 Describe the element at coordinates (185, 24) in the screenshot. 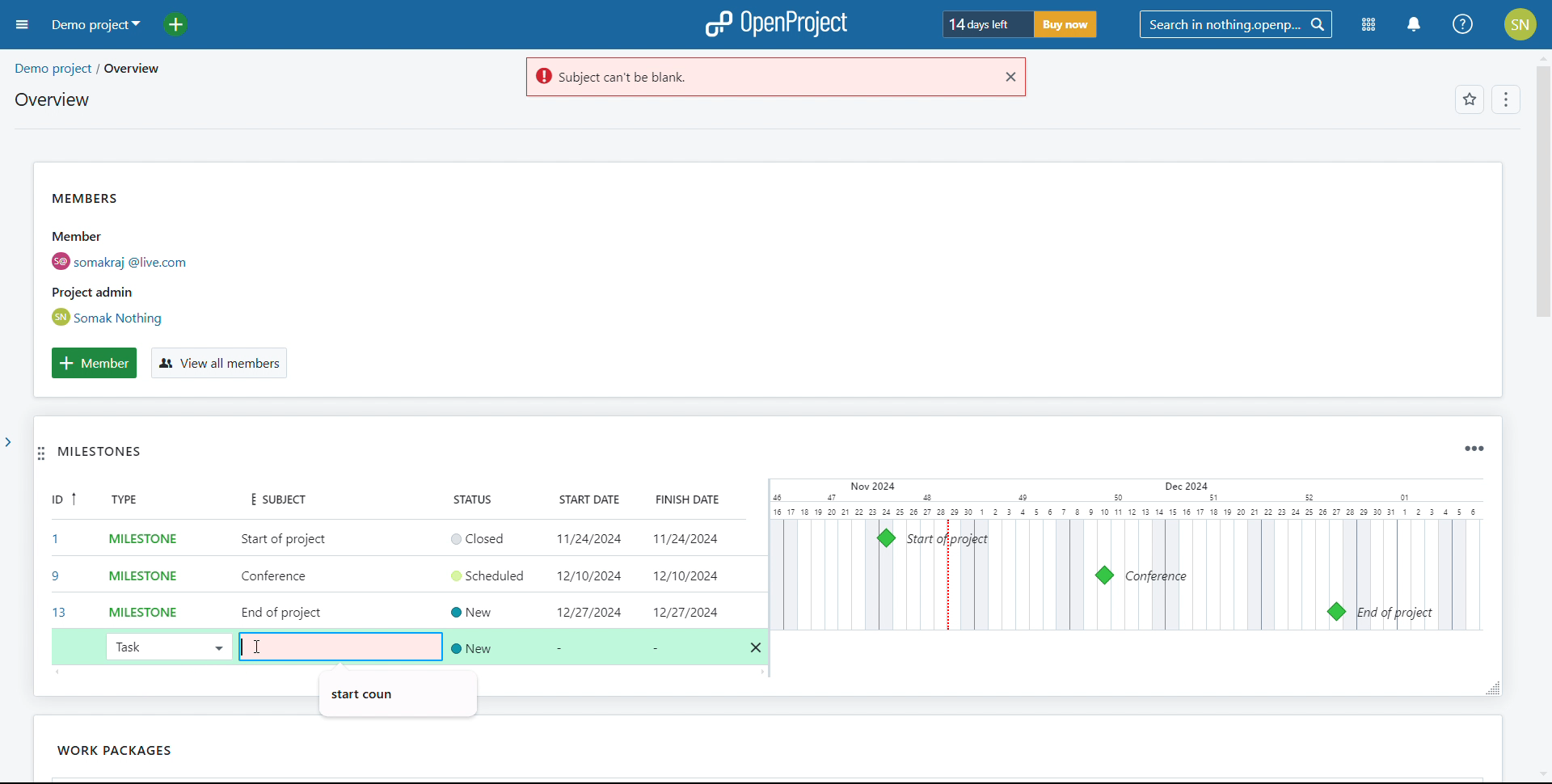

I see `add project` at that location.